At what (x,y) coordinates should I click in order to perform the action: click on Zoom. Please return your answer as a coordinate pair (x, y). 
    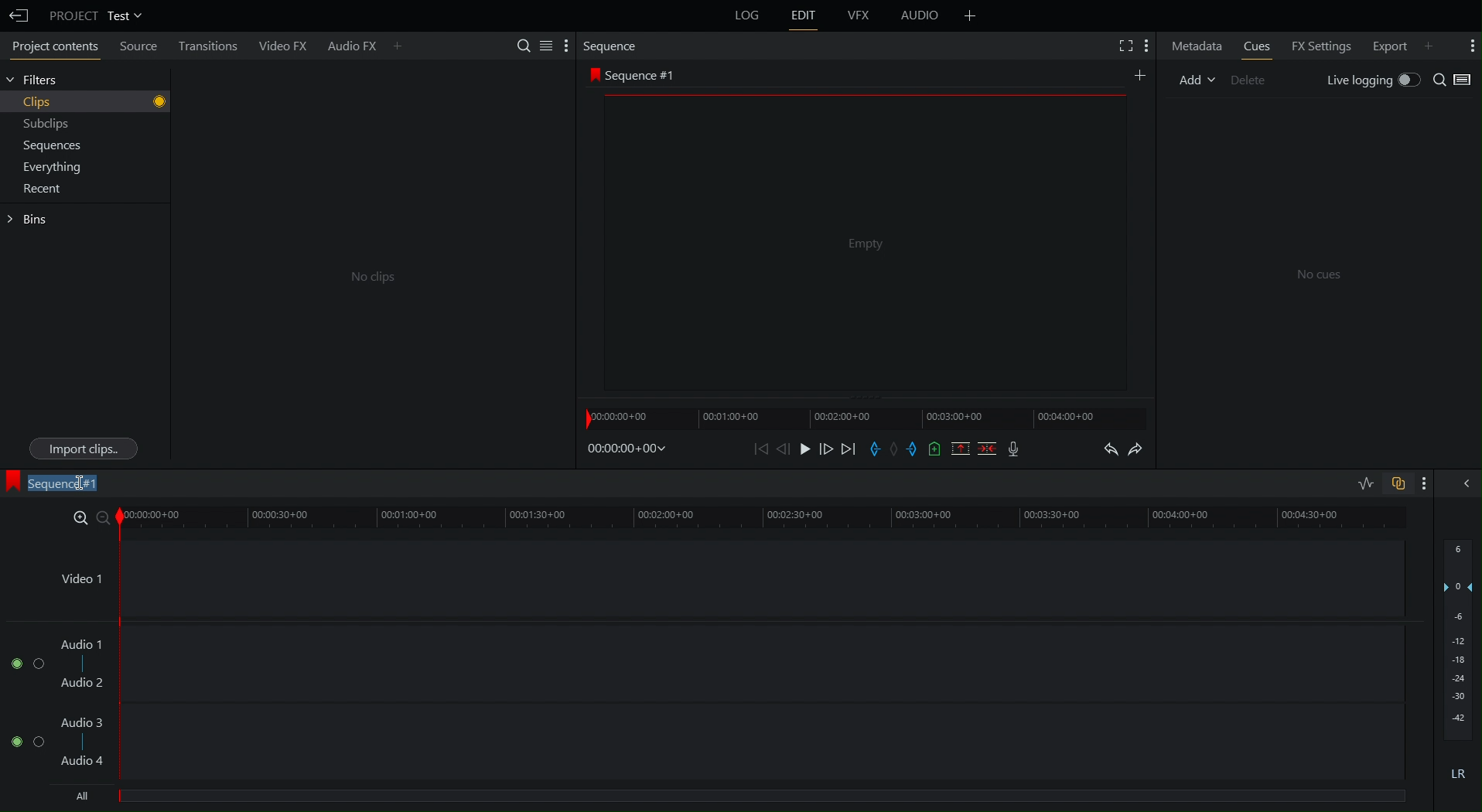
    Looking at the image, I should click on (87, 516).